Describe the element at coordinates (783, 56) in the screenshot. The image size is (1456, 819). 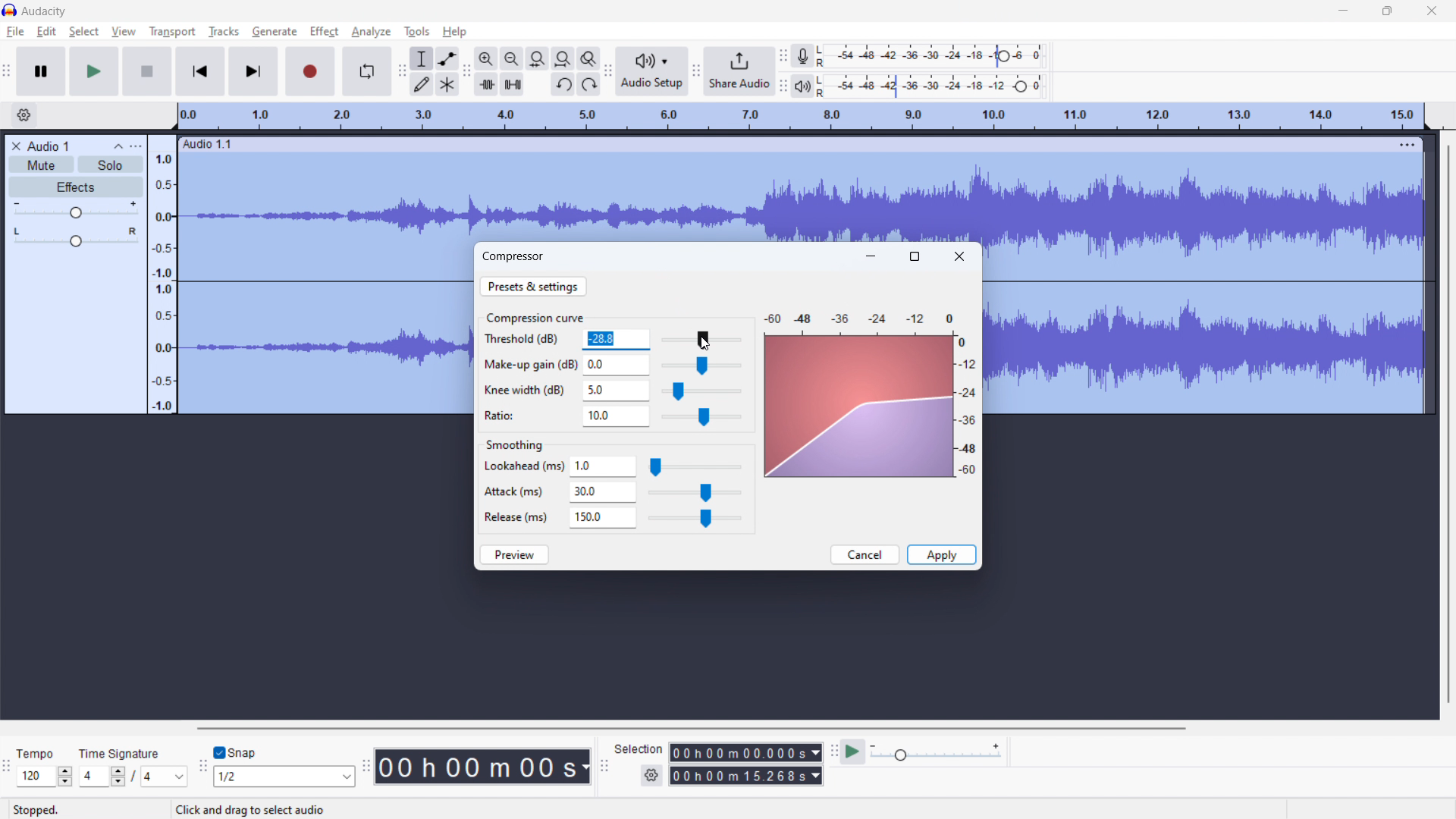
I see `recording meter toolbar` at that location.